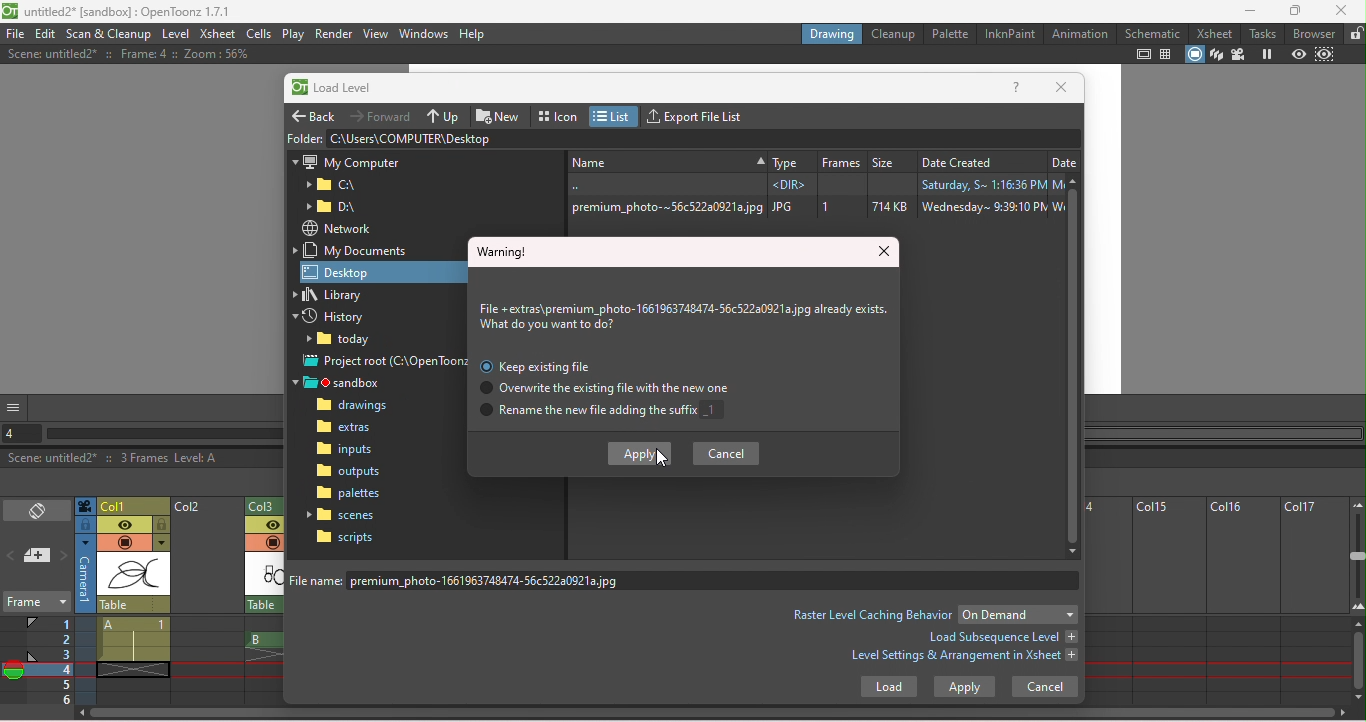  Describe the element at coordinates (1144, 54) in the screenshot. I see `Safe area` at that location.